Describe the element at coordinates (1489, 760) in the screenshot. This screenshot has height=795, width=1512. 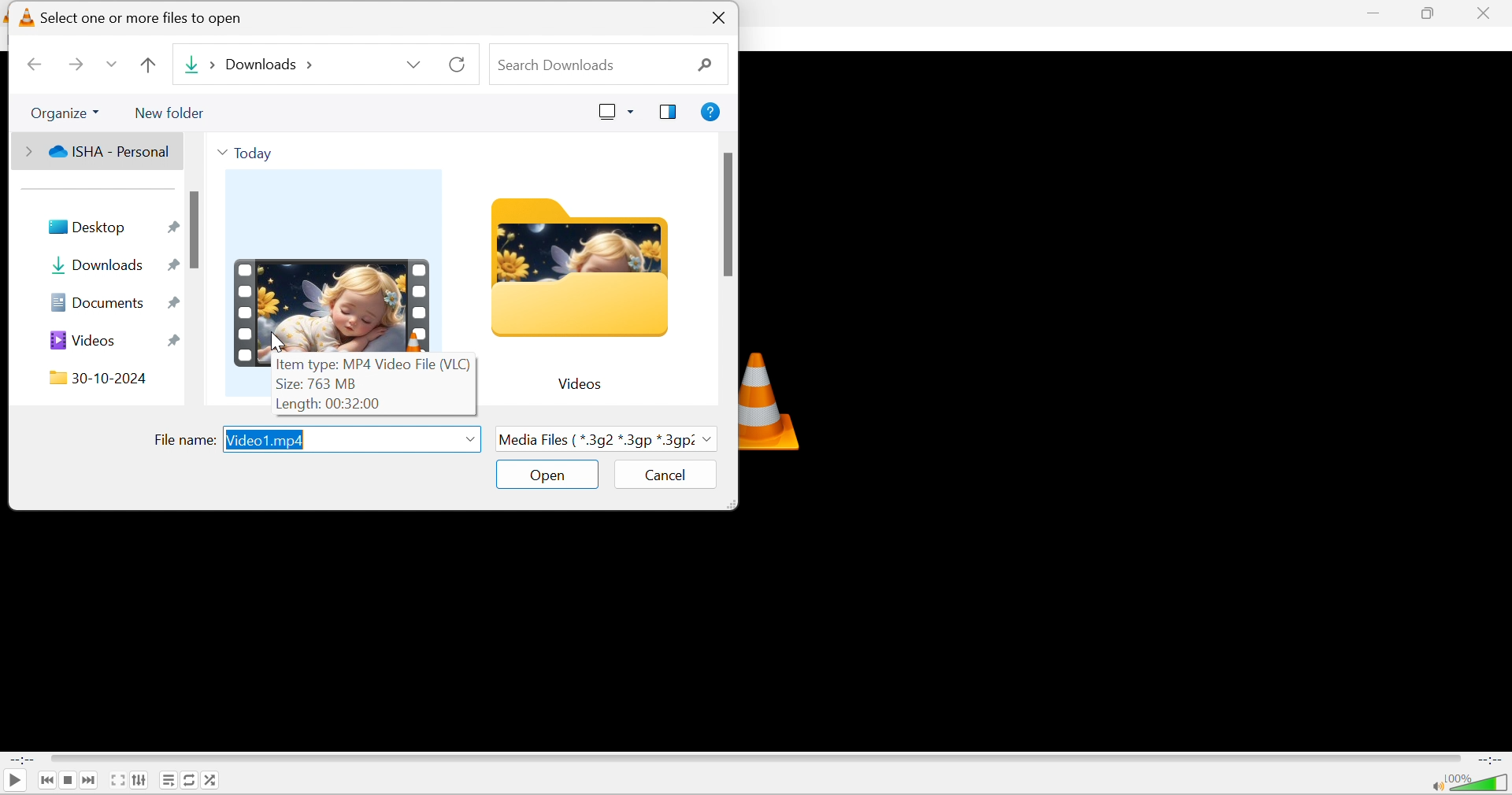
I see `End Time` at that location.